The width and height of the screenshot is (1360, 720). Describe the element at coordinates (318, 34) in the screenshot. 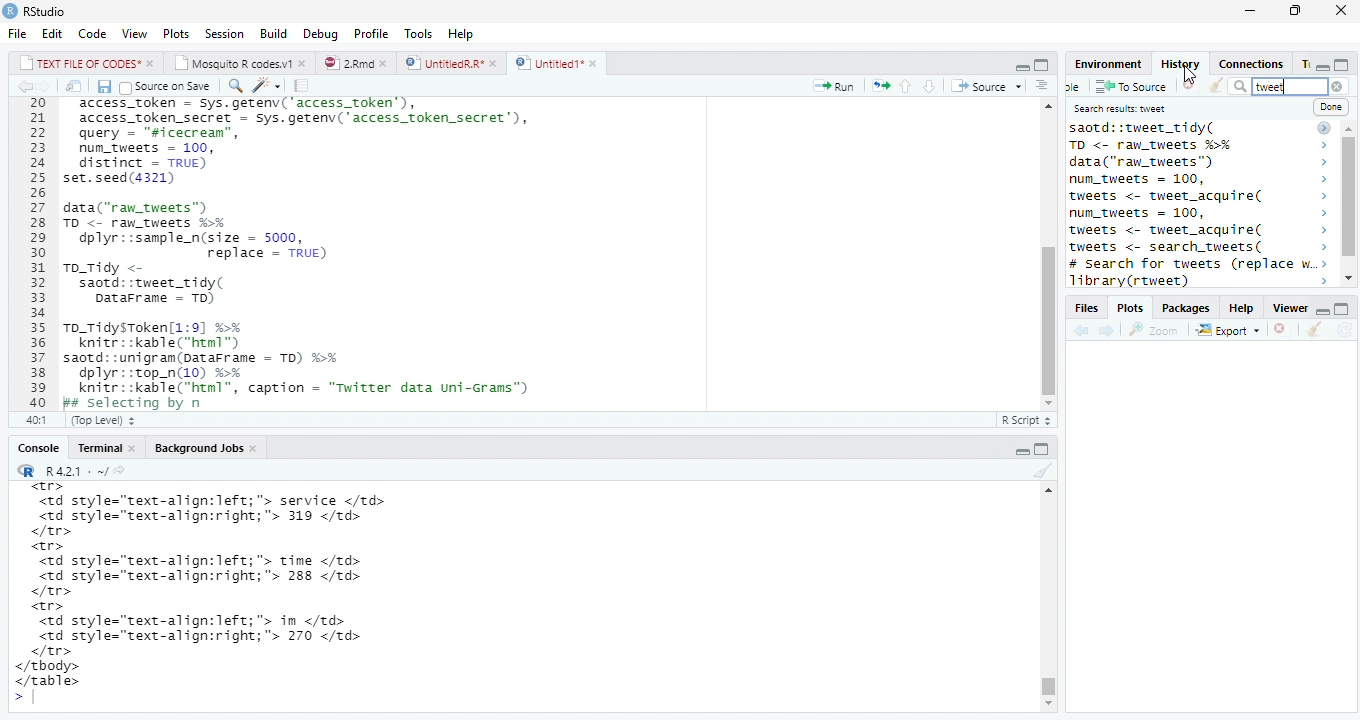

I see `Debug` at that location.